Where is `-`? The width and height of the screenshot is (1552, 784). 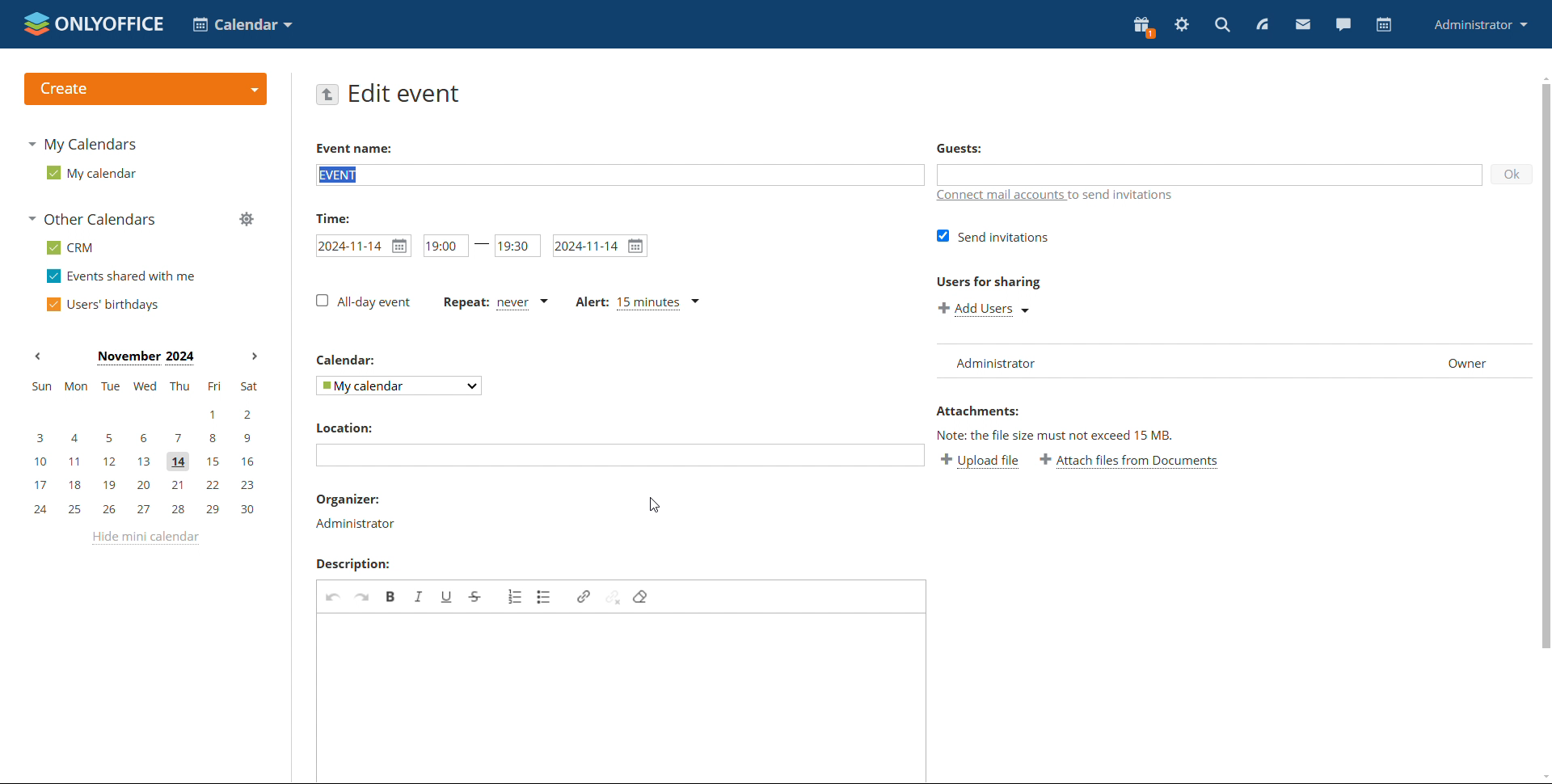 - is located at coordinates (483, 246).